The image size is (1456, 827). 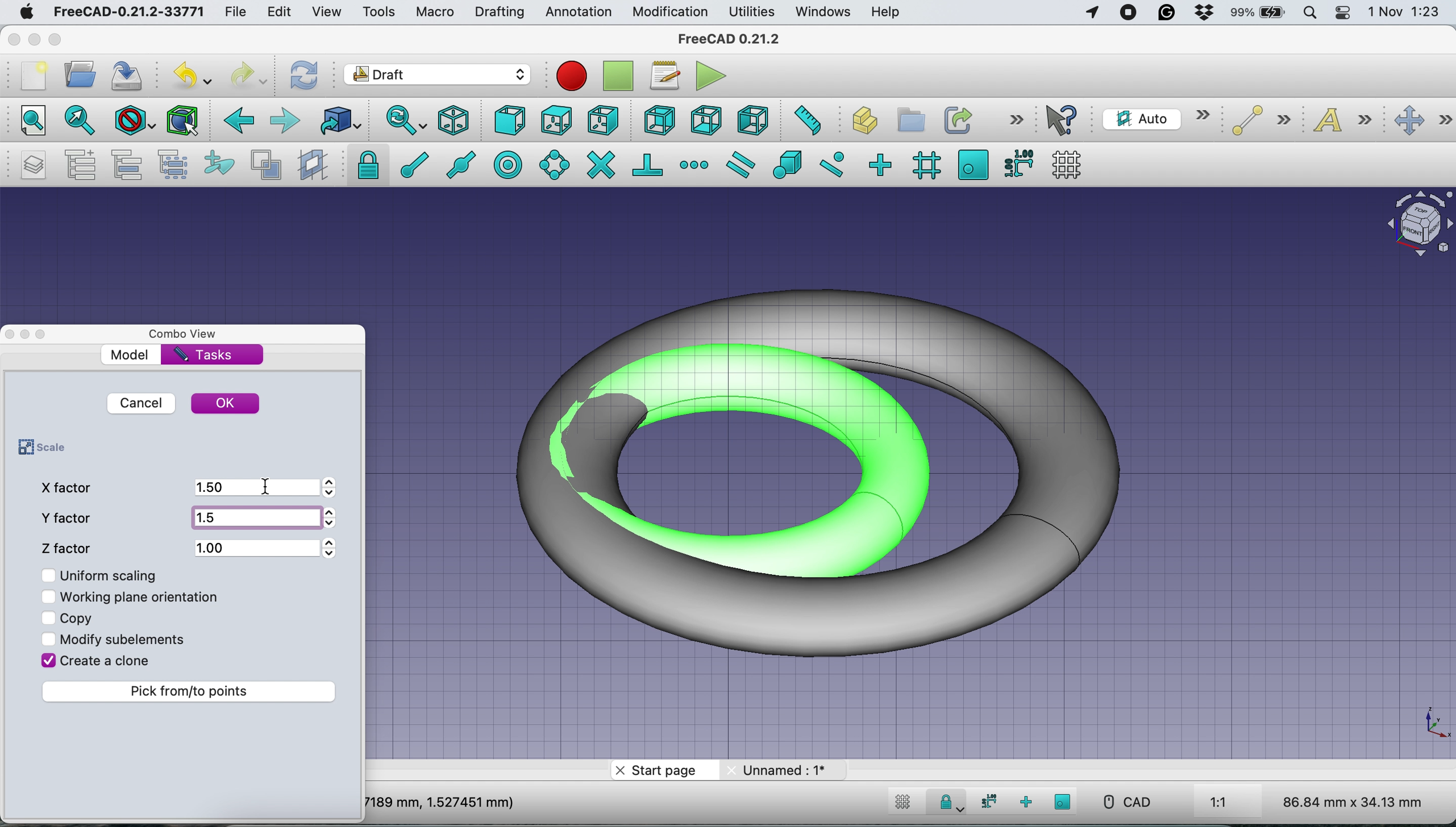 What do you see at coordinates (113, 575) in the screenshot?
I see `uniform scaling` at bounding box center [113, 575].